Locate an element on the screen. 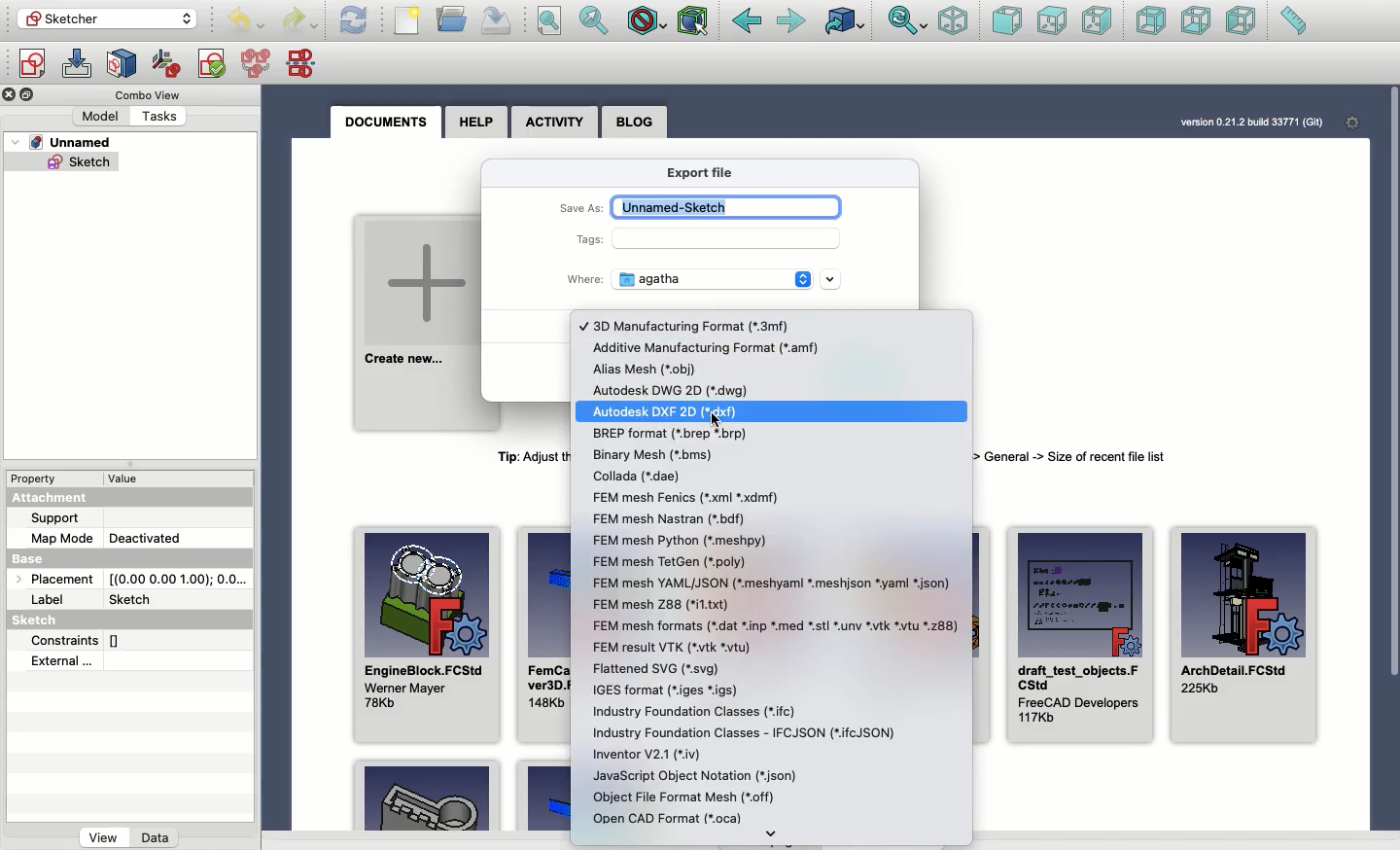 This screenshot has width=1400, height=850. Linked to object is located at coordinates (843, 22).